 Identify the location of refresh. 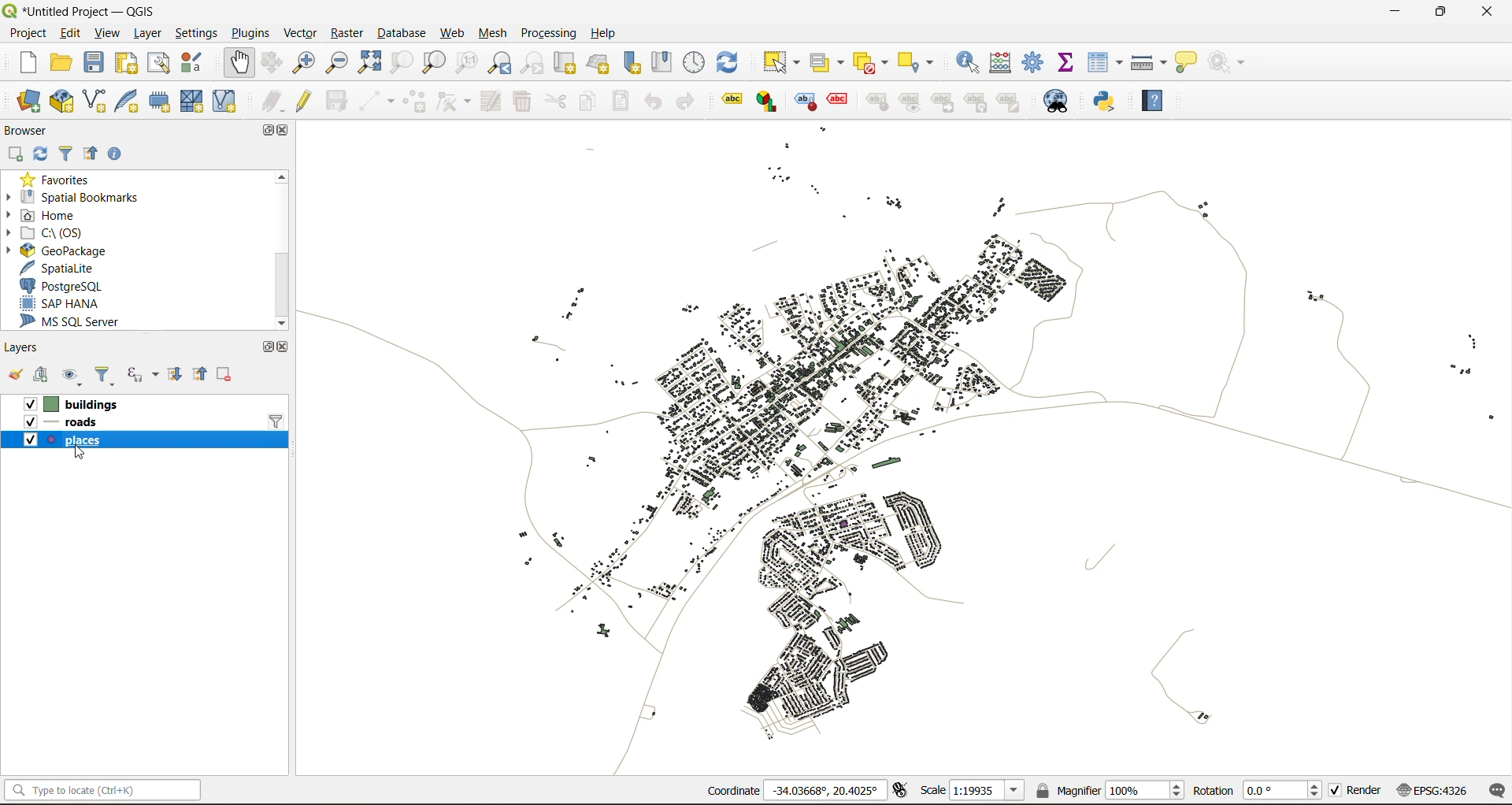
(736, 59).